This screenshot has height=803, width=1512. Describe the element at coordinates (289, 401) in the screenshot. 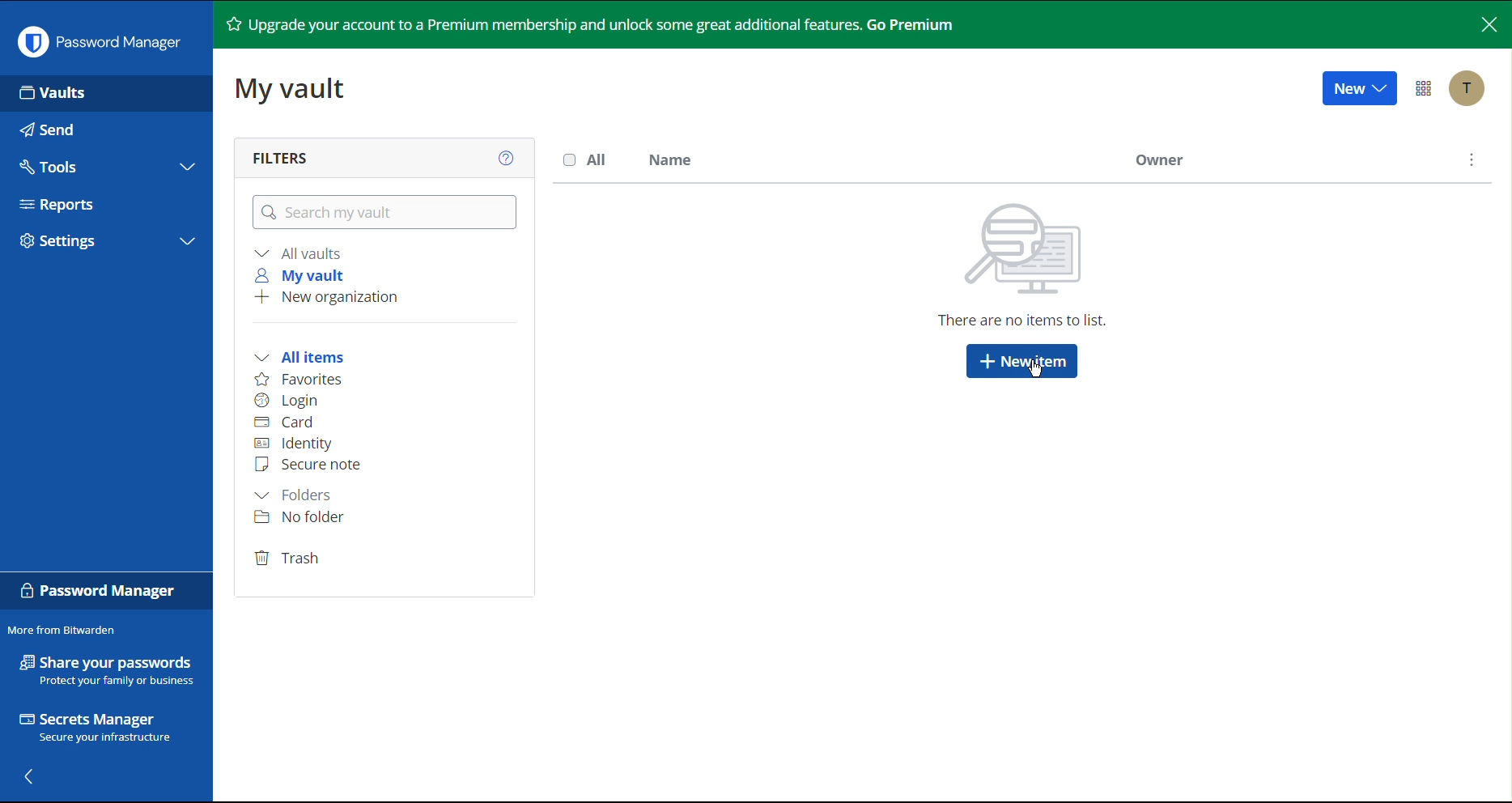

I see `Login` at that location.